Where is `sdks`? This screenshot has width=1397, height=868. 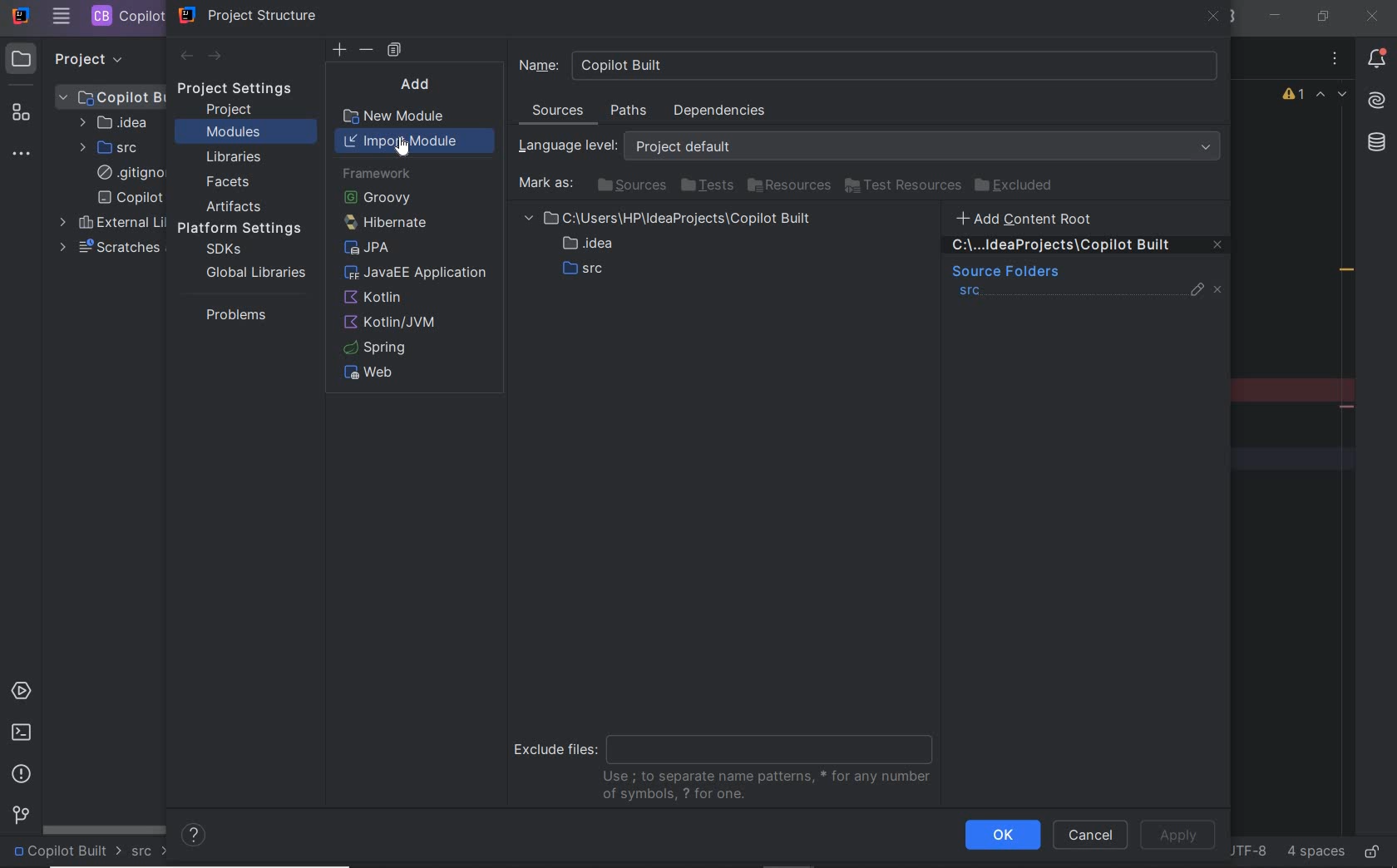
sdks is located at coordinates (222, 250).